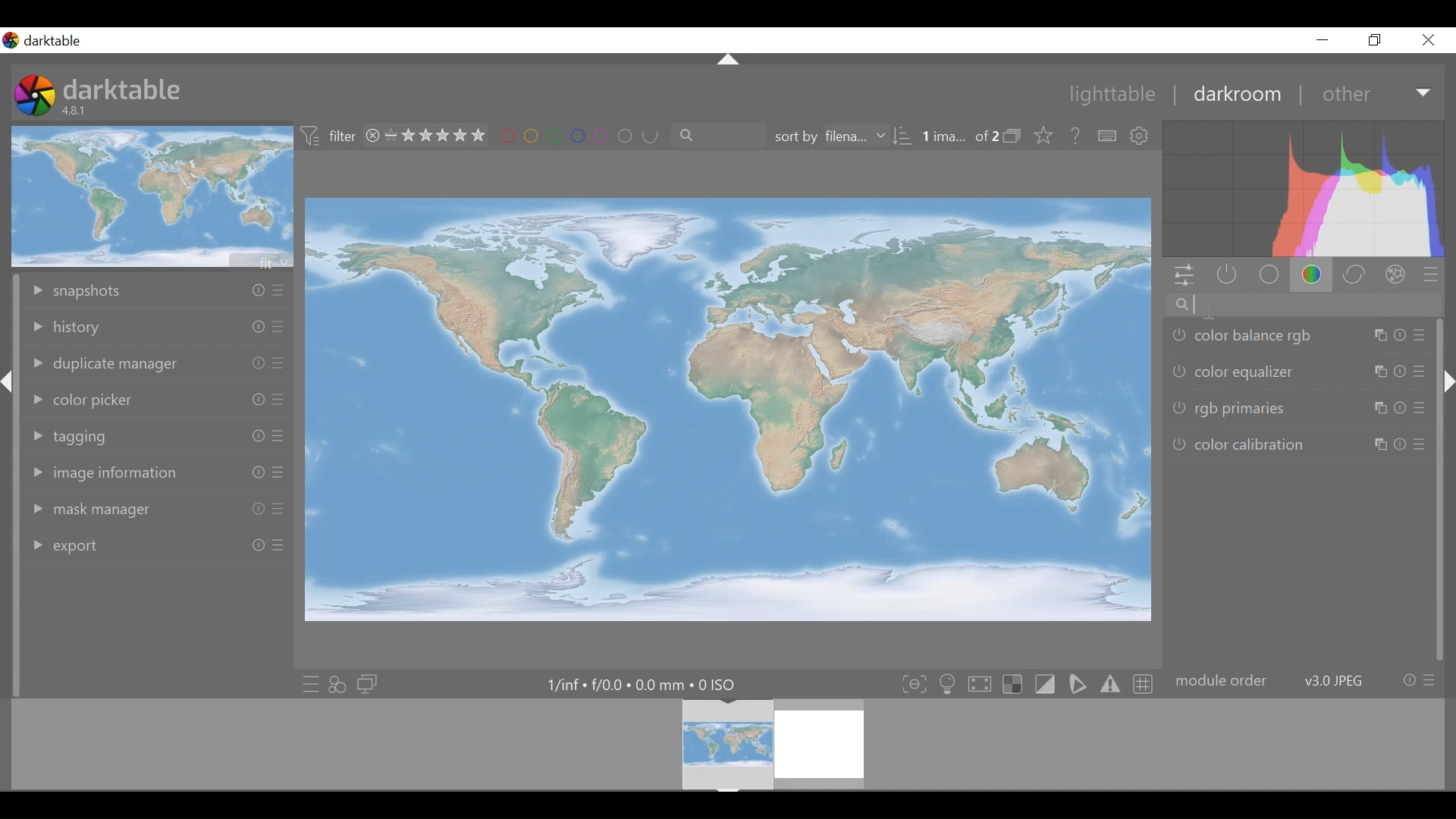  Describe the element at coordinates (422, 136) in the screenshot. I see `range filtering` at that location.